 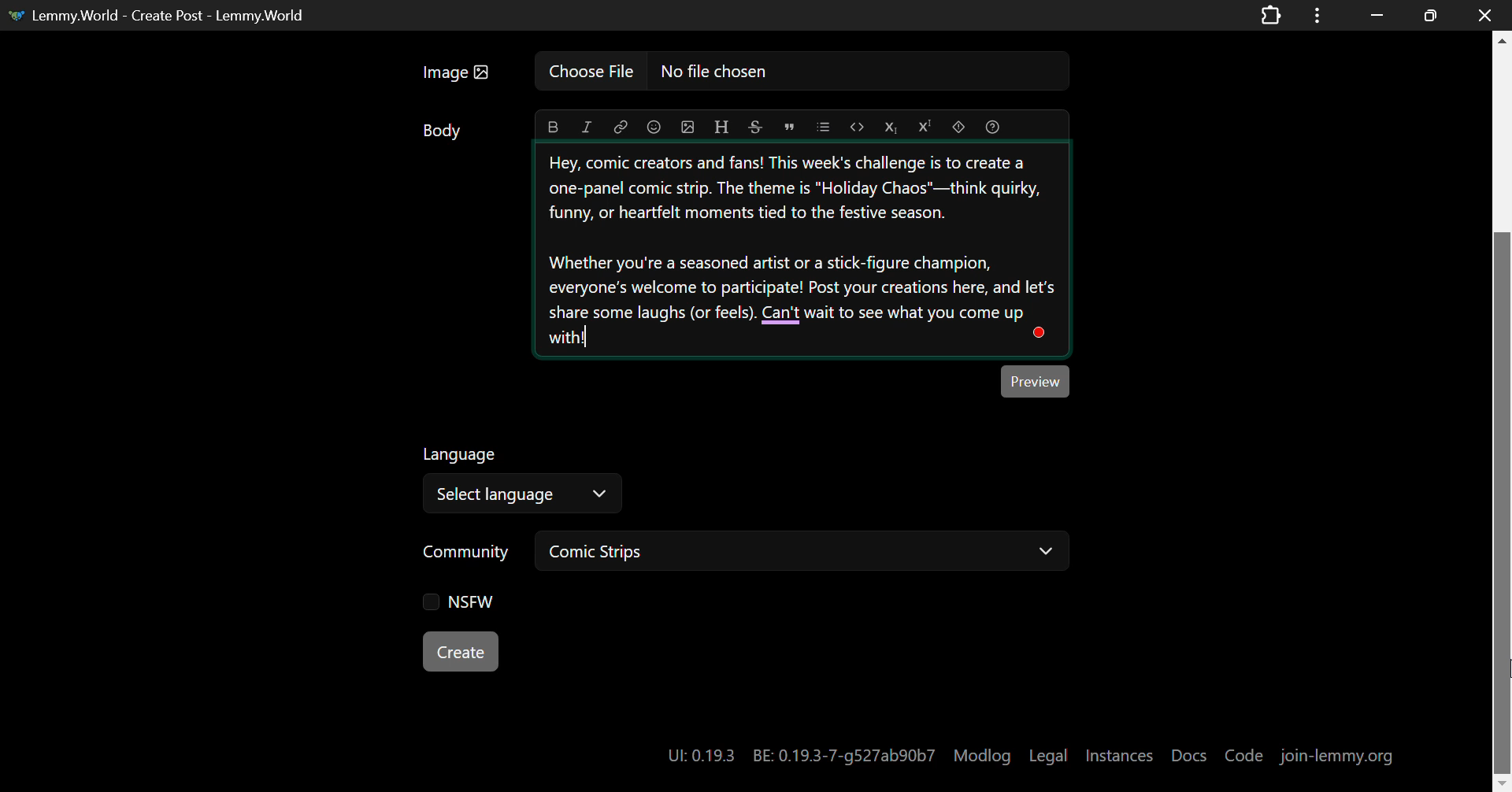 I want to click on Modlog, so click(x=982, y=756).